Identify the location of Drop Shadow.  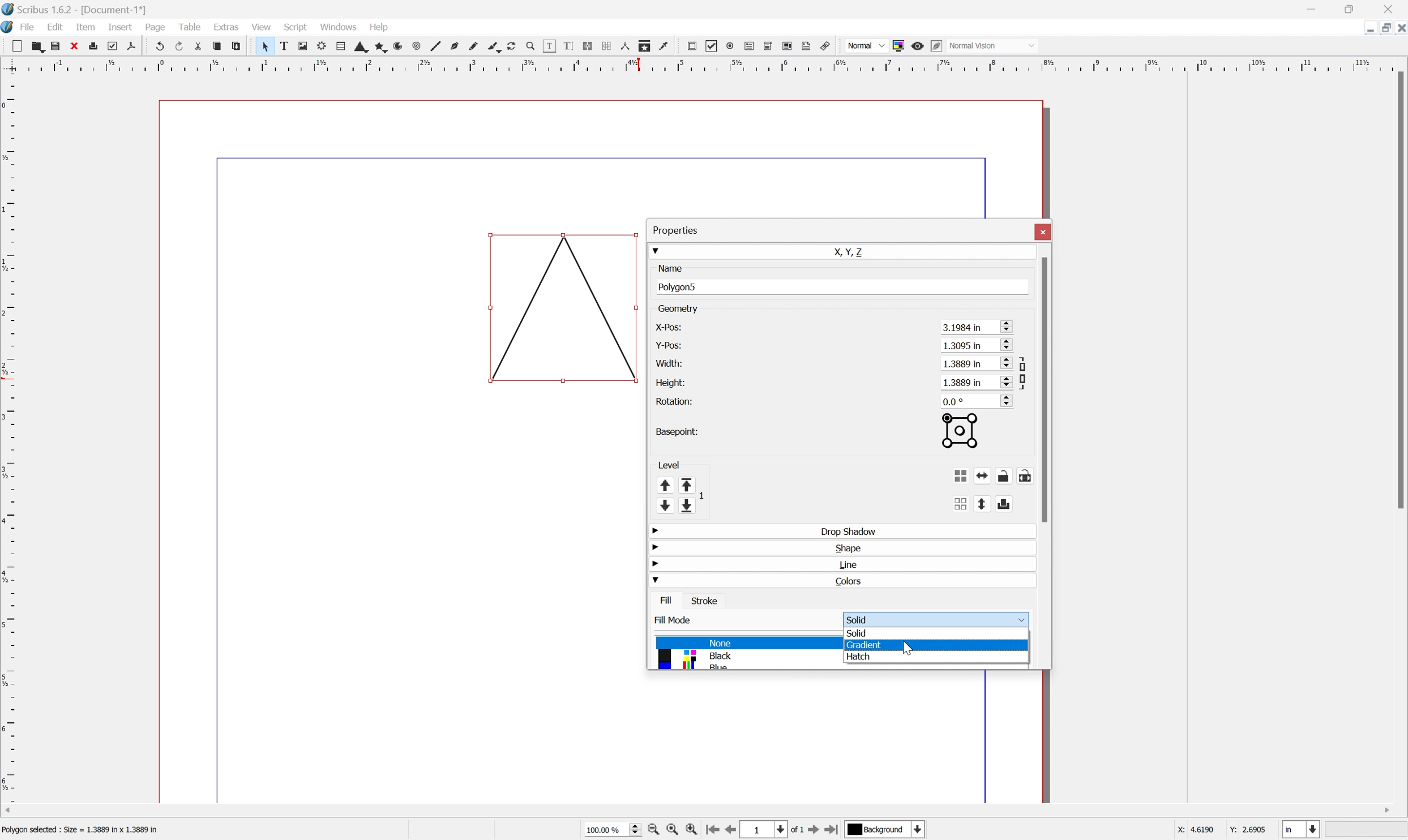
(854, 530).